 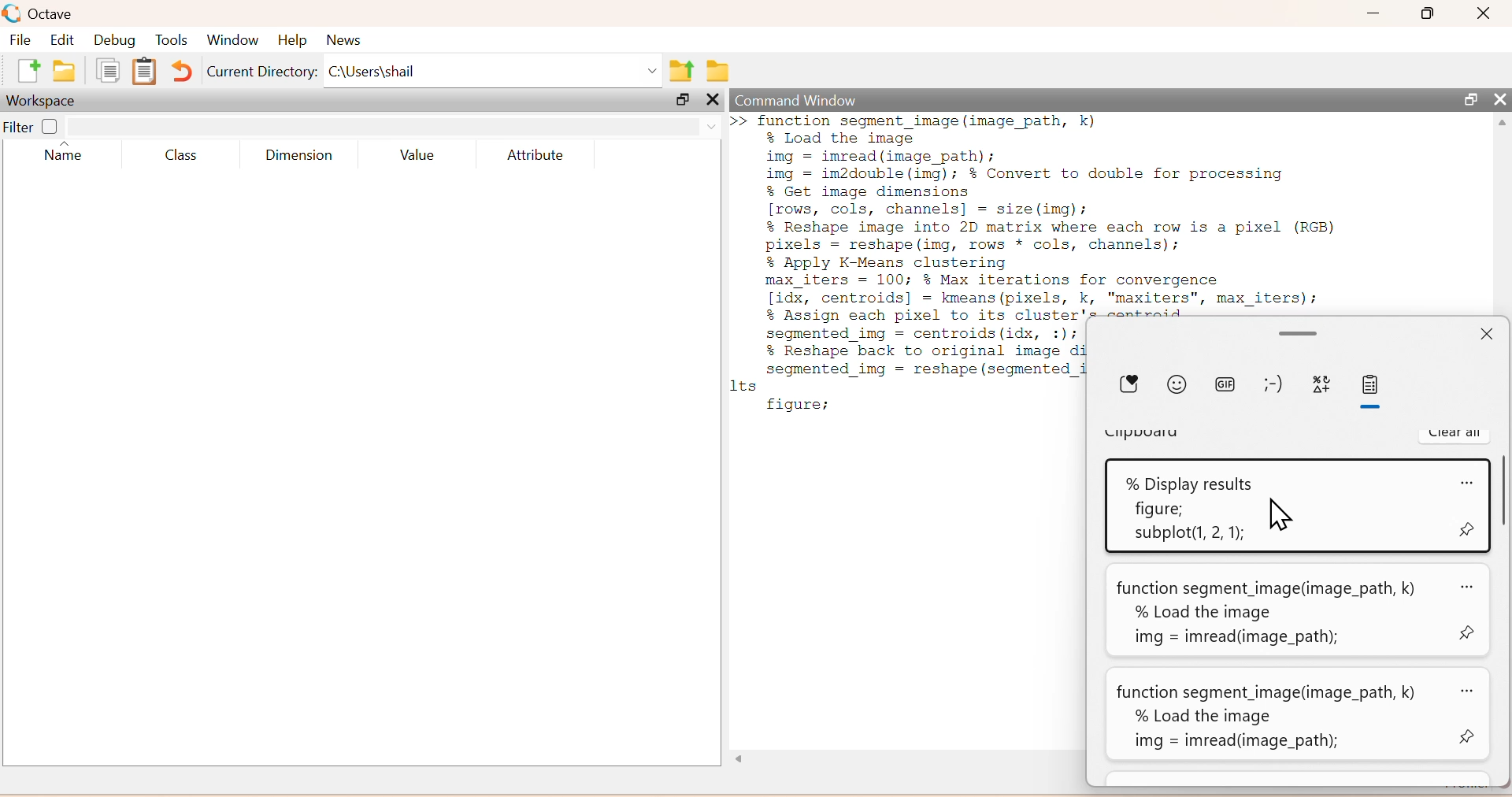 I want to click on Cursor, so click(x=1285, y=518).